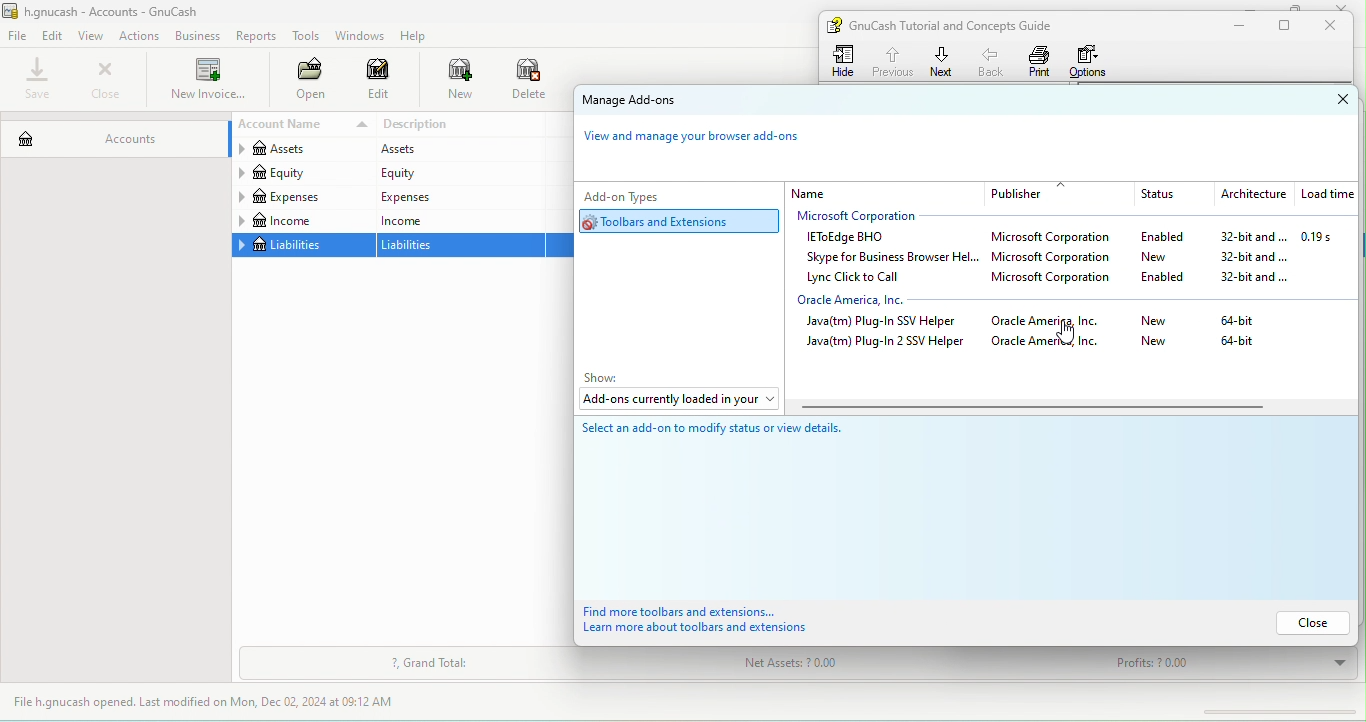 This screenshot has width=1366, height=722. Describe the element at coordinates (112, 134) in the screenshot. I see `accounts` at that location.